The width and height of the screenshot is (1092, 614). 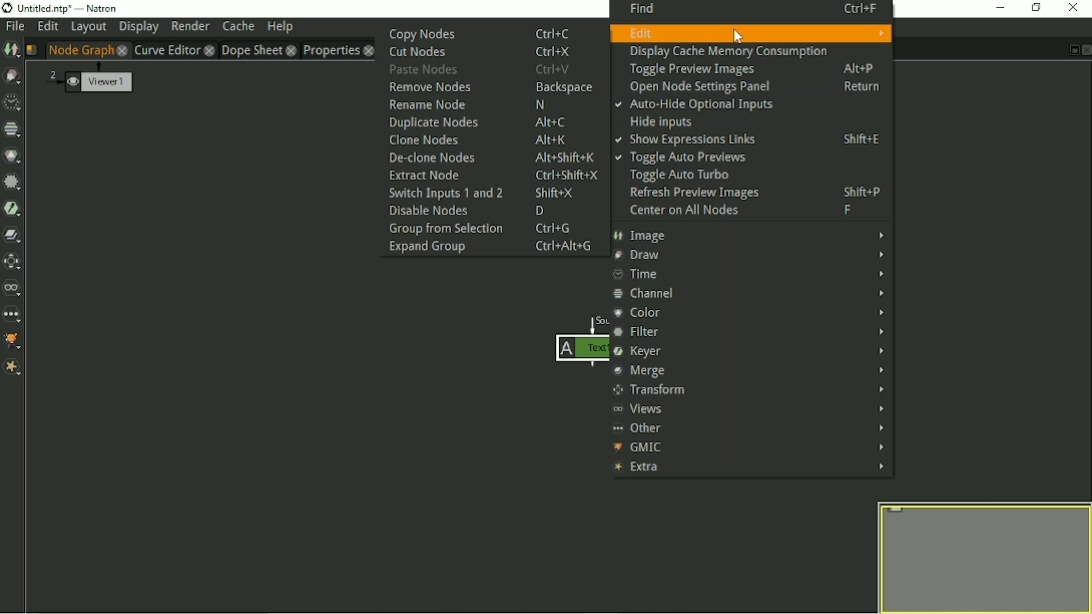 What do you see at coordinates (14, 262) in the screenshot?
I see `Transform` at bounding box center [14, 262].